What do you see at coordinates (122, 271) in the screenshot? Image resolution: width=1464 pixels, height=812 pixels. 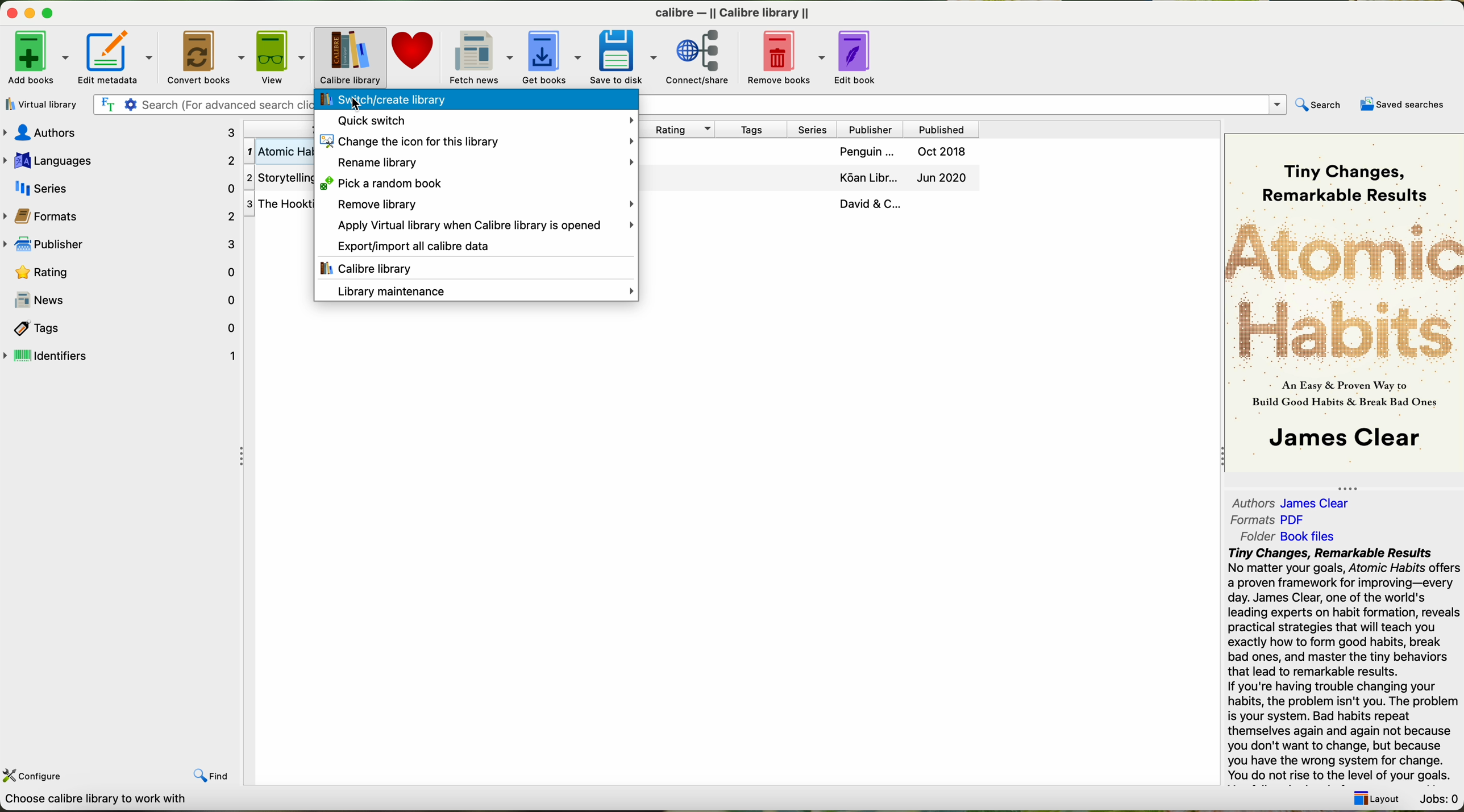 I see `rating` at bounding box center [122, 271].